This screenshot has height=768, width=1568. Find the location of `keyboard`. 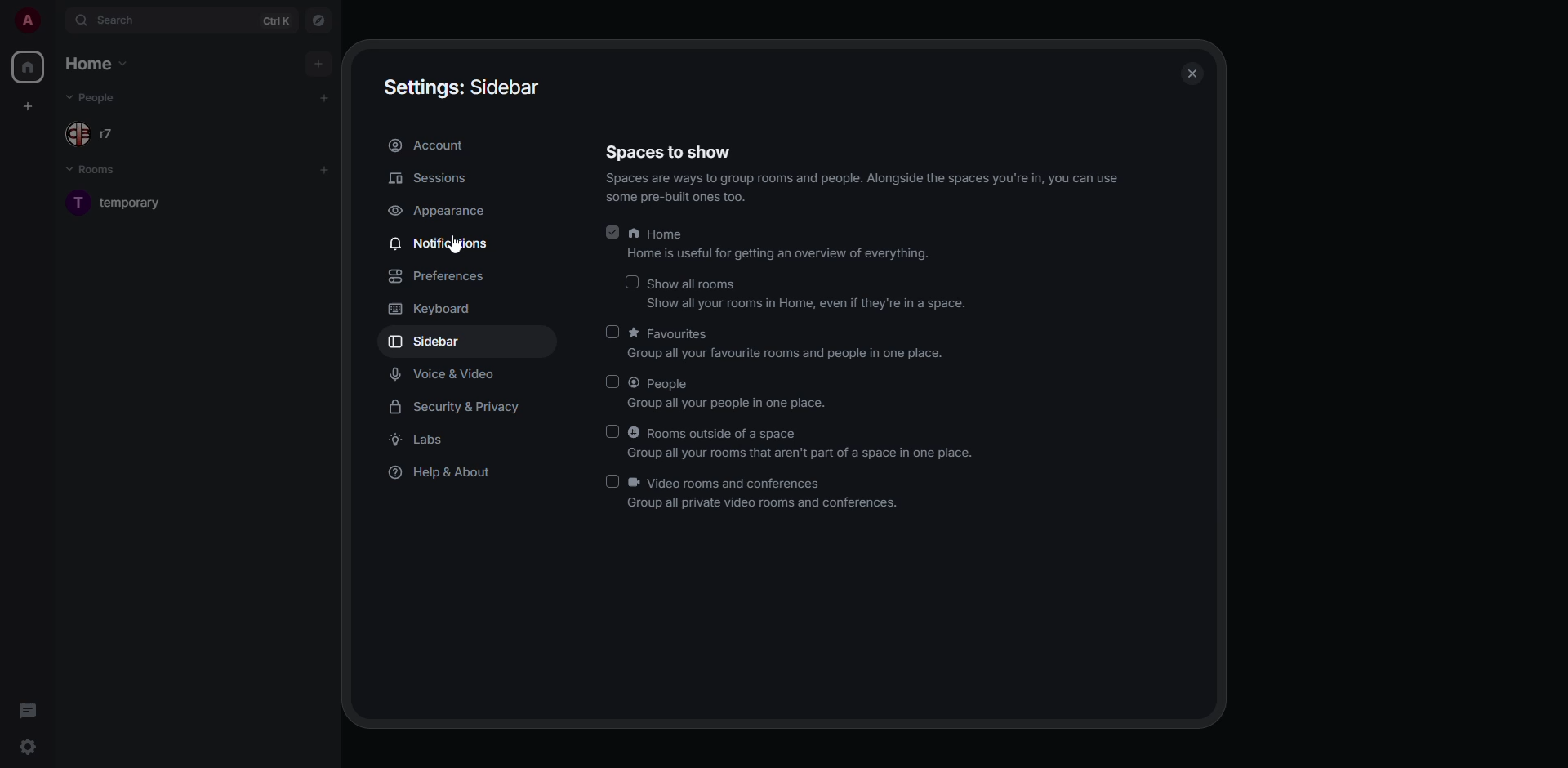

keyboard is located at coordinates (431, 310).